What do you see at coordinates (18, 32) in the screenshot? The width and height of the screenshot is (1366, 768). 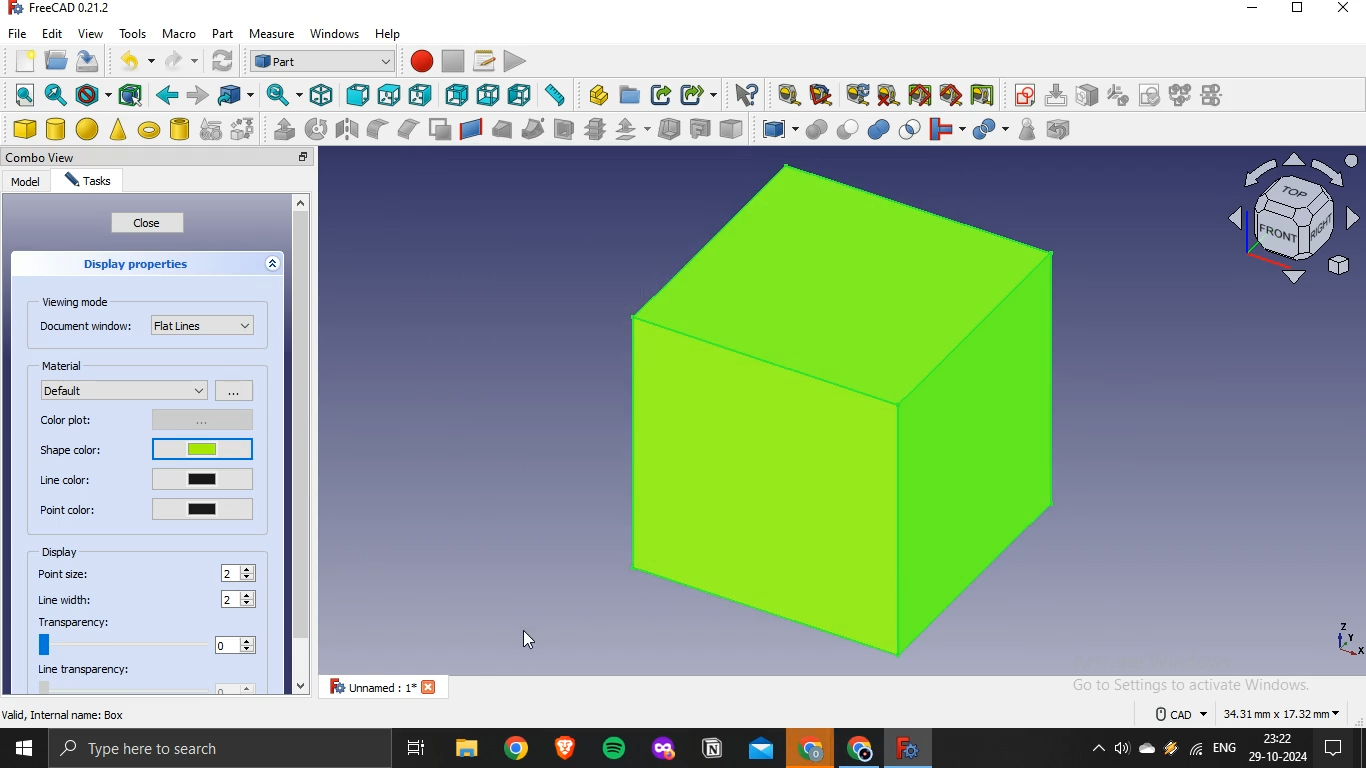 I see `file` at bounding box center [18, 32].